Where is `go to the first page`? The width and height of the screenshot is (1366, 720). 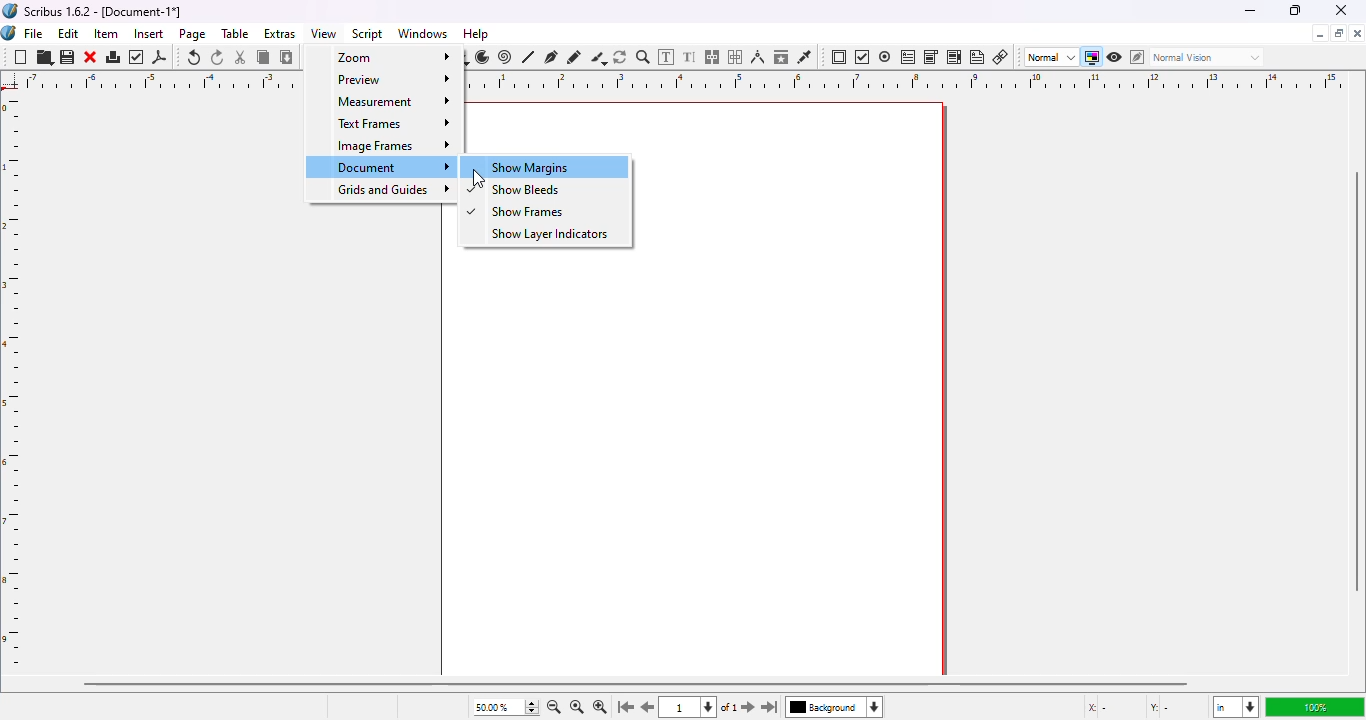
go to the first page is located at coordinates (626, 708).